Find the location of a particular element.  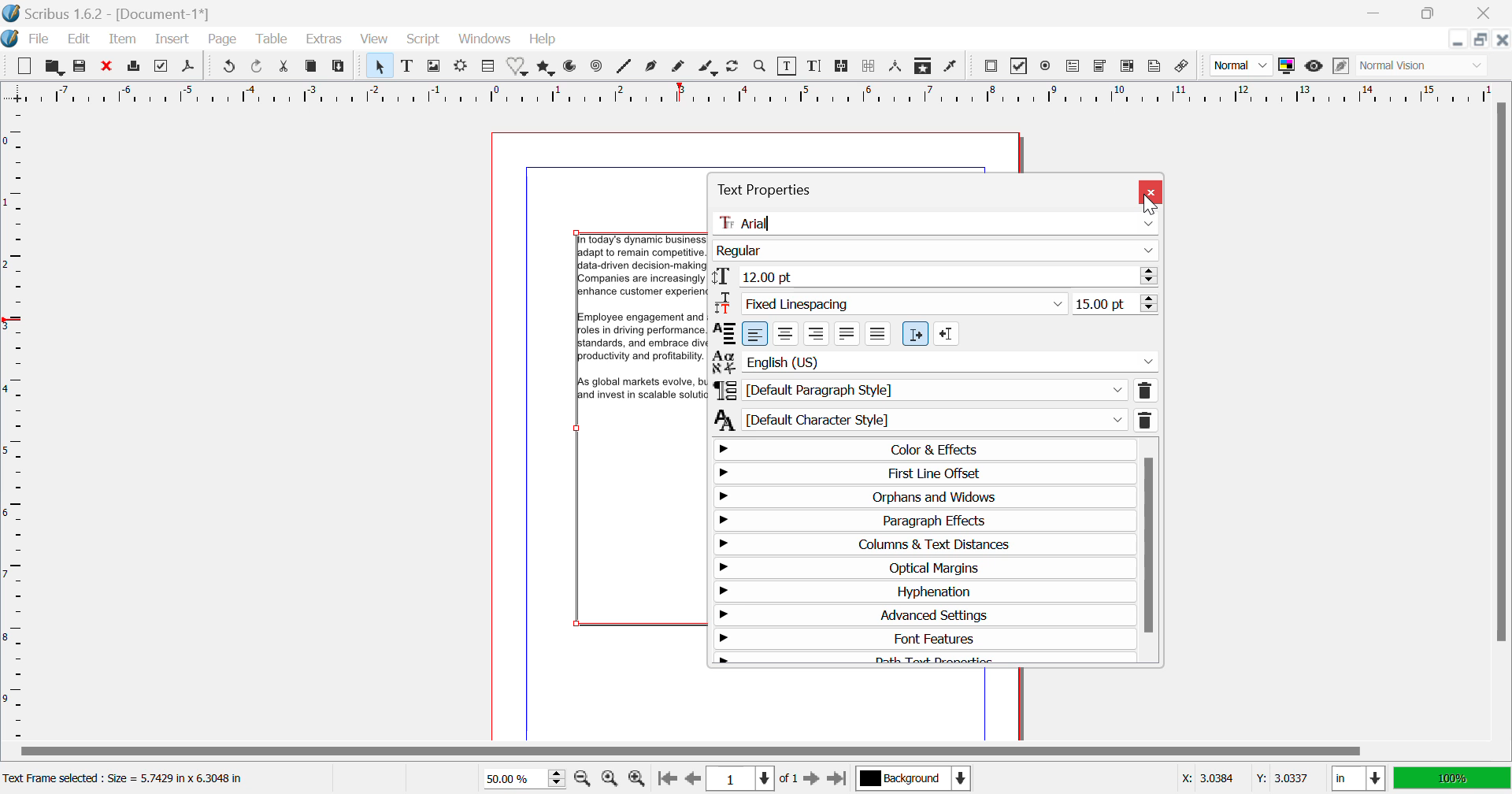

Spiral is located at coordinates (595, 66).